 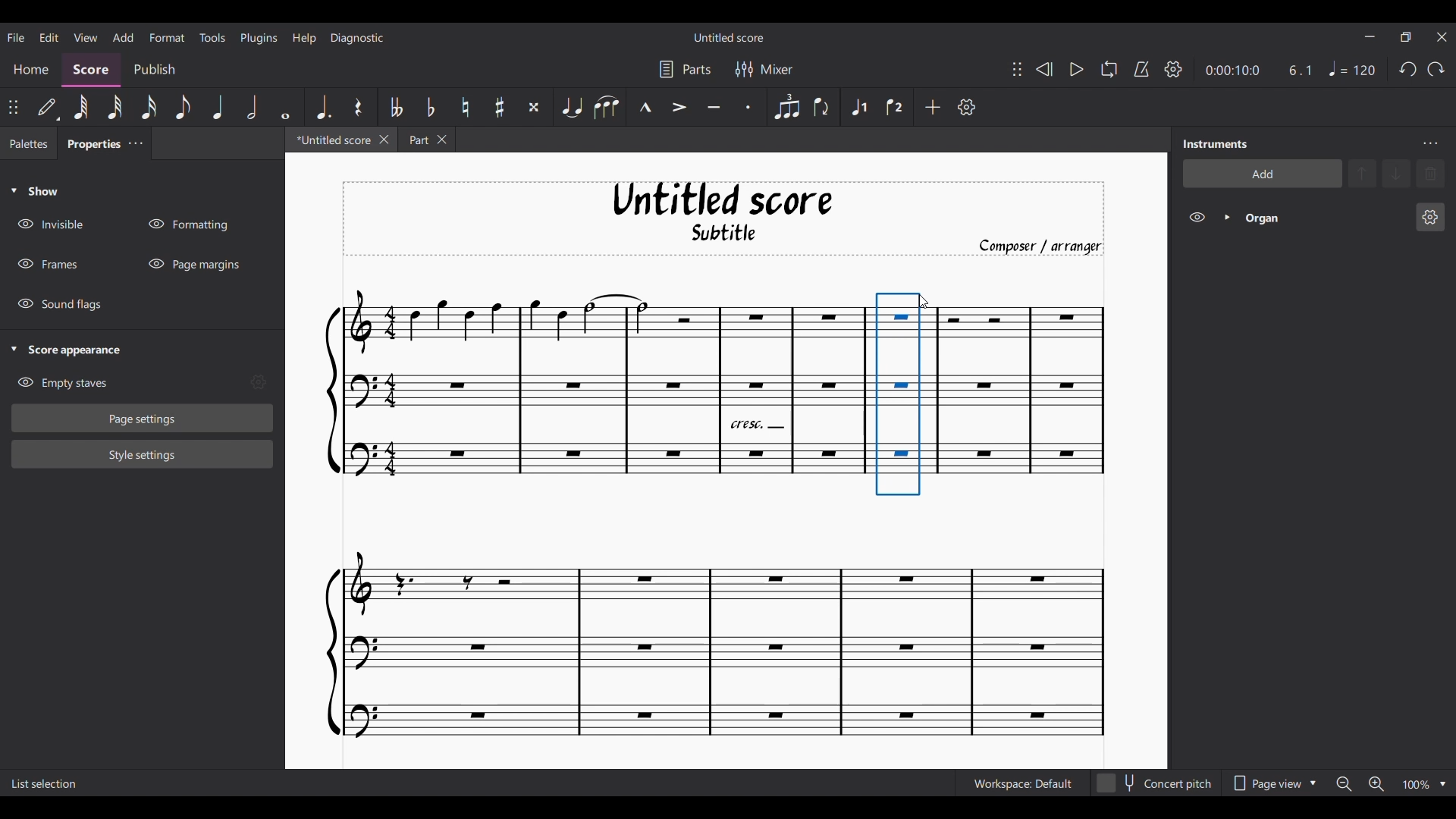 I want to click on Toggle double flat, so click(x=395, y=106).